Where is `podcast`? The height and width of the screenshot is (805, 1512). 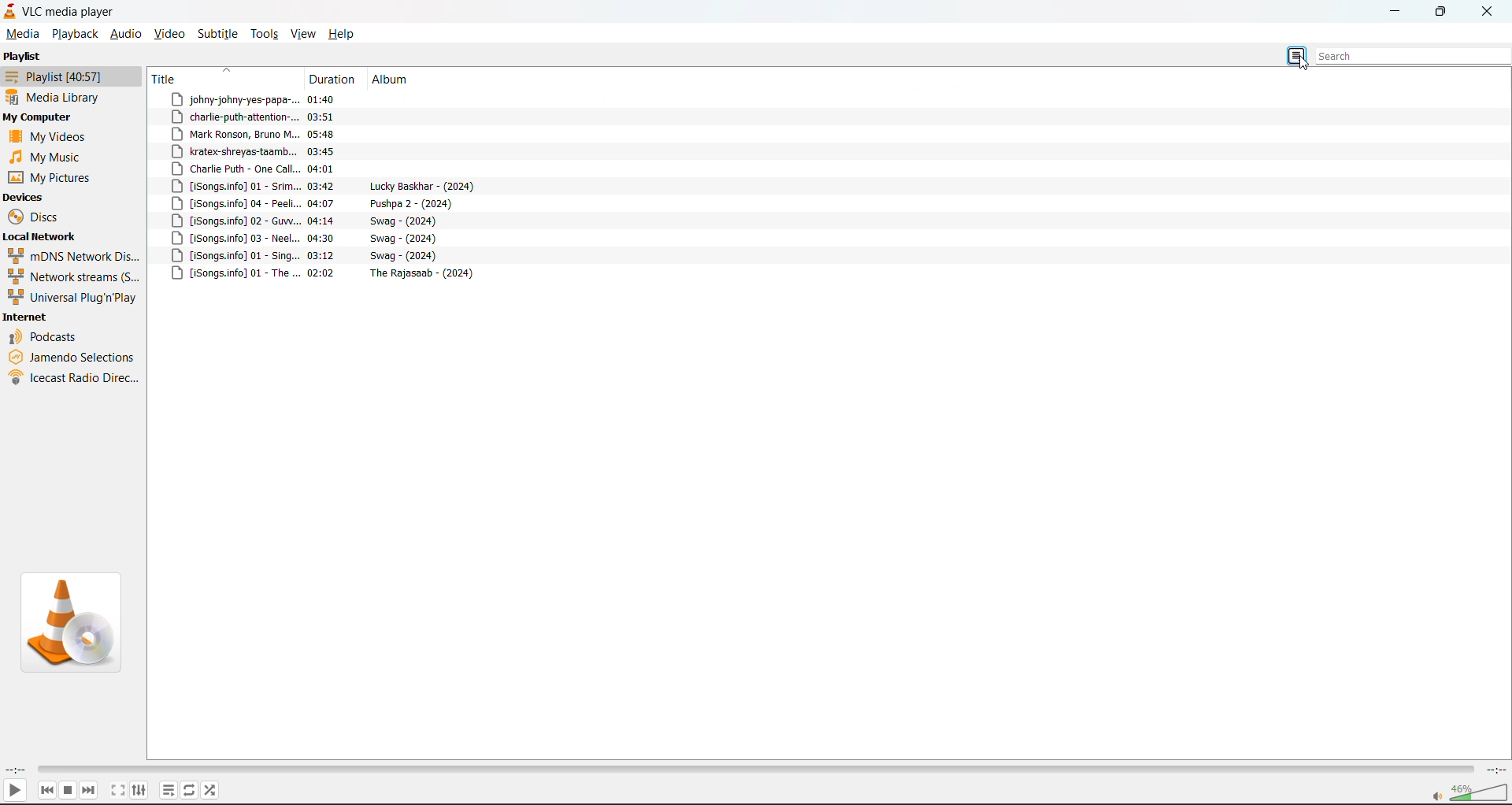
podcast is located at coordinates (47, 338).